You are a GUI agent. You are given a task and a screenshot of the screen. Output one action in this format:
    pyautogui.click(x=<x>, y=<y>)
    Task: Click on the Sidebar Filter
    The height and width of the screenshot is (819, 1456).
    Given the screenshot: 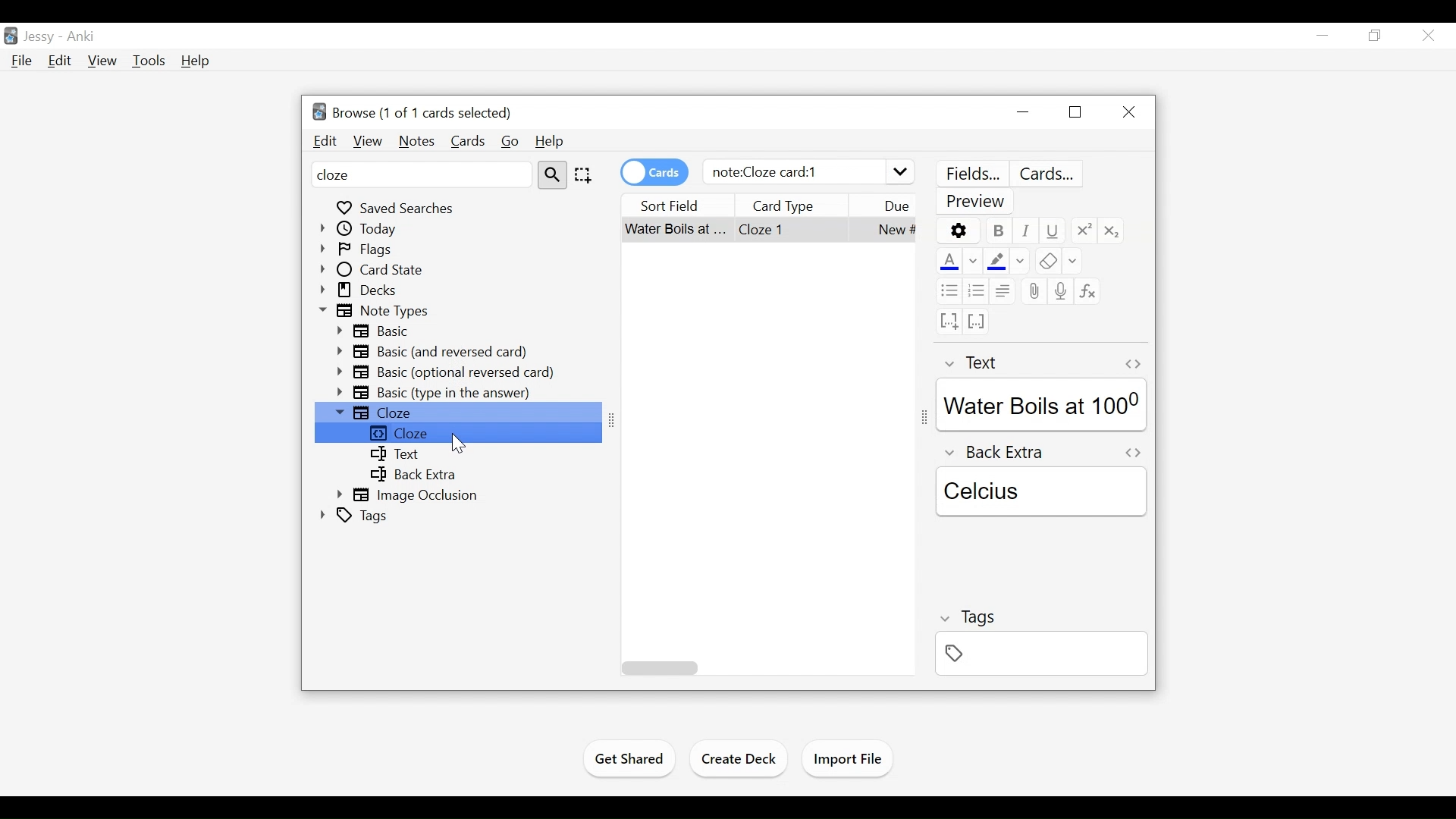 What is the action you would take?
    pyautogui.click(x=422, y=174)
    